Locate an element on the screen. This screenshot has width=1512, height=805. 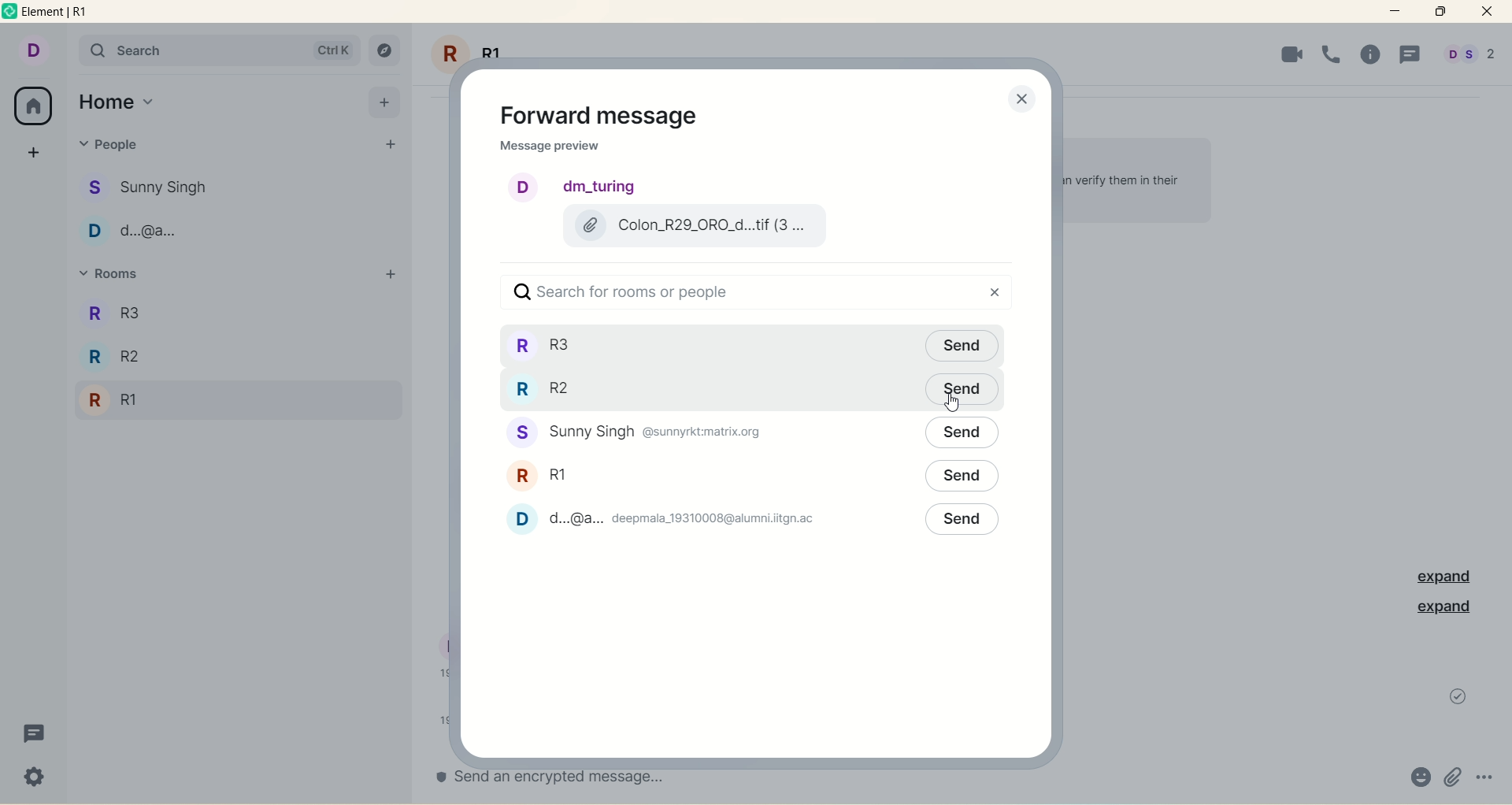
people is located at coordinates (1469, 57).